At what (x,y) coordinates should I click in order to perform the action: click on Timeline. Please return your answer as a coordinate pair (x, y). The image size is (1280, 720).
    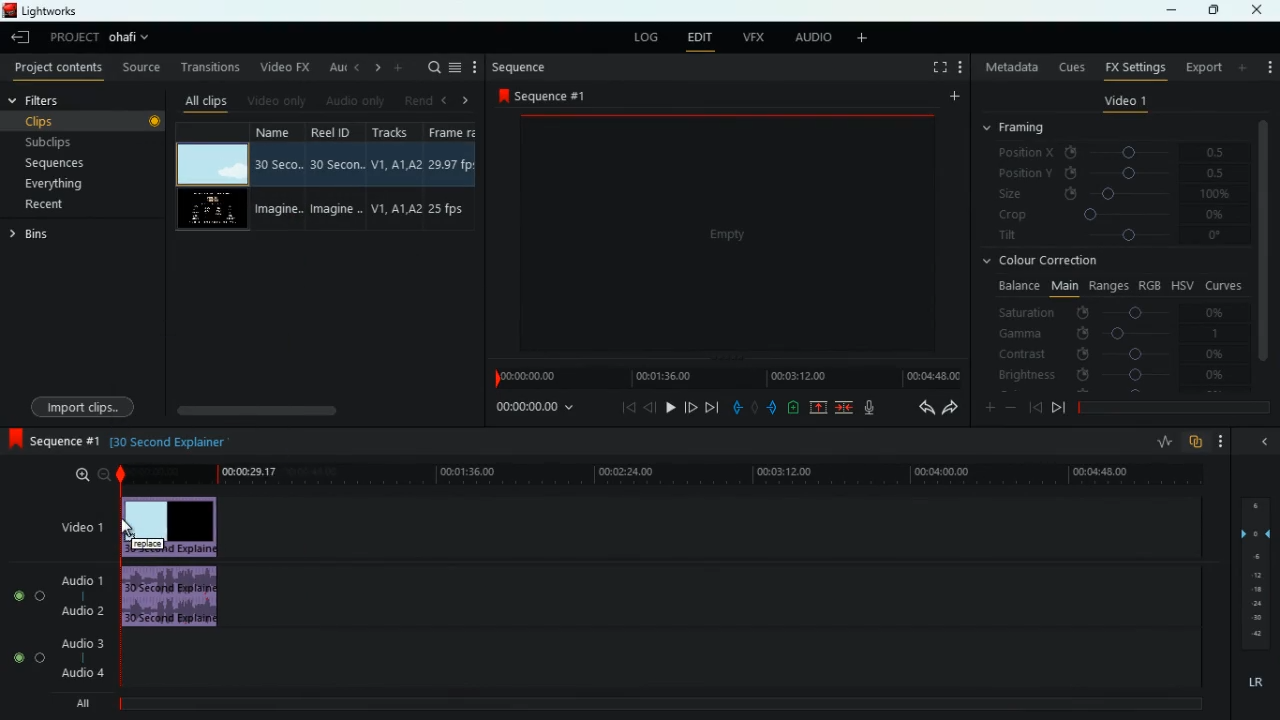
    Looking at the image, I should click on (663, 703).